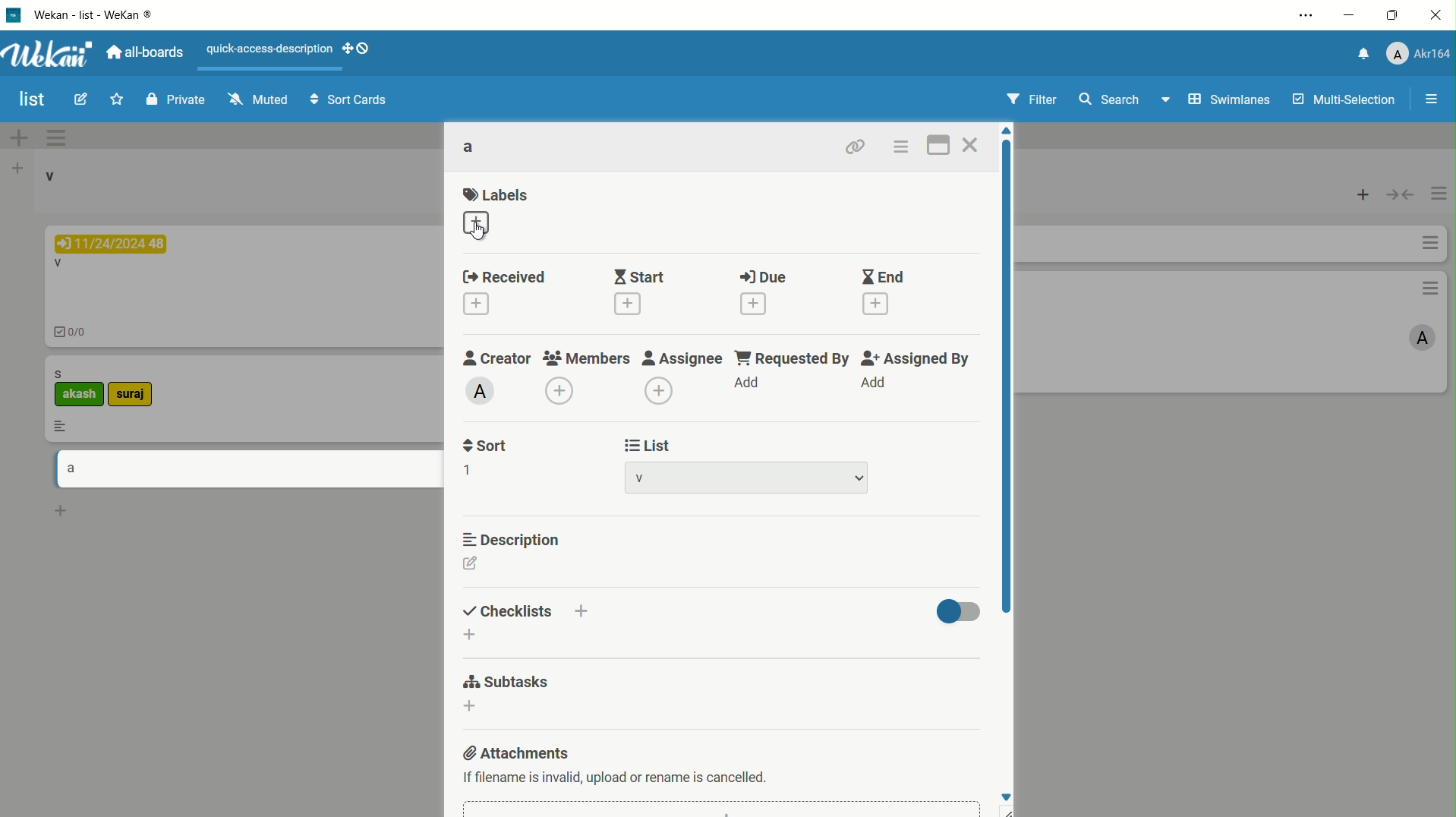 The height and width of the screenshot is (817, 1456). I want to click on add checklist, so click(471, 635).